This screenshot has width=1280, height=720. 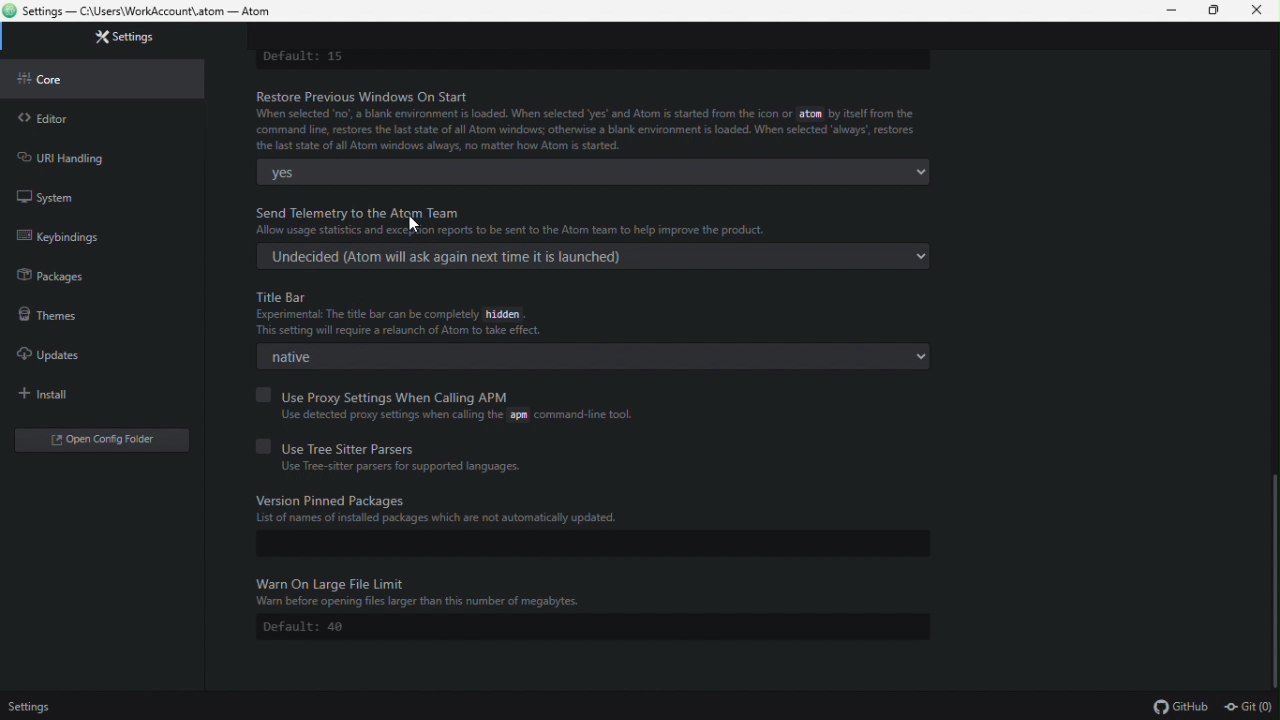 What do you see at coordinates (1179, 706) in the screenshot?
I see `github` at bounding box center [1179, 706].